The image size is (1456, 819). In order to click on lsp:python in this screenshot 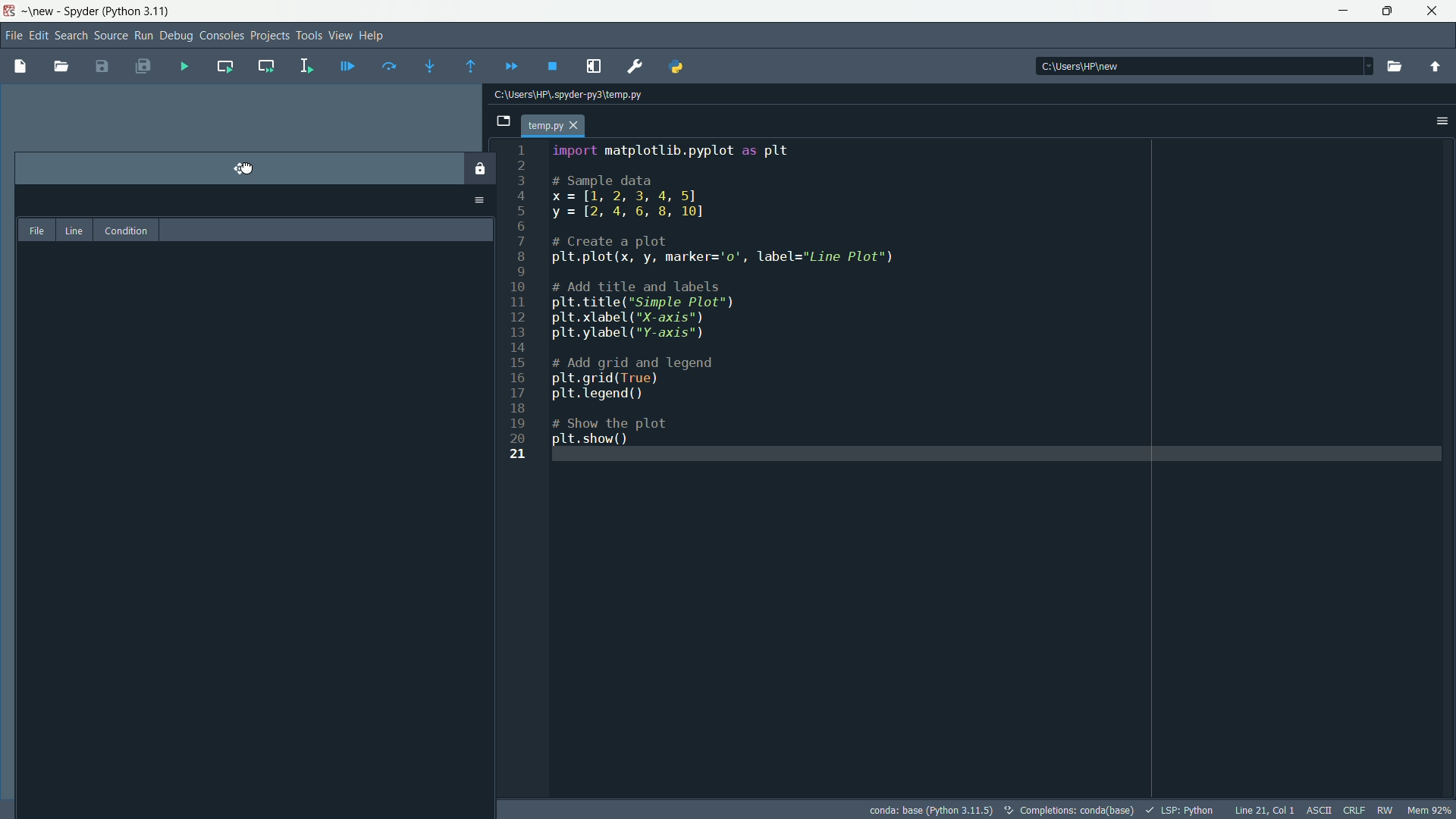, I will do `click(1181, 809)`.